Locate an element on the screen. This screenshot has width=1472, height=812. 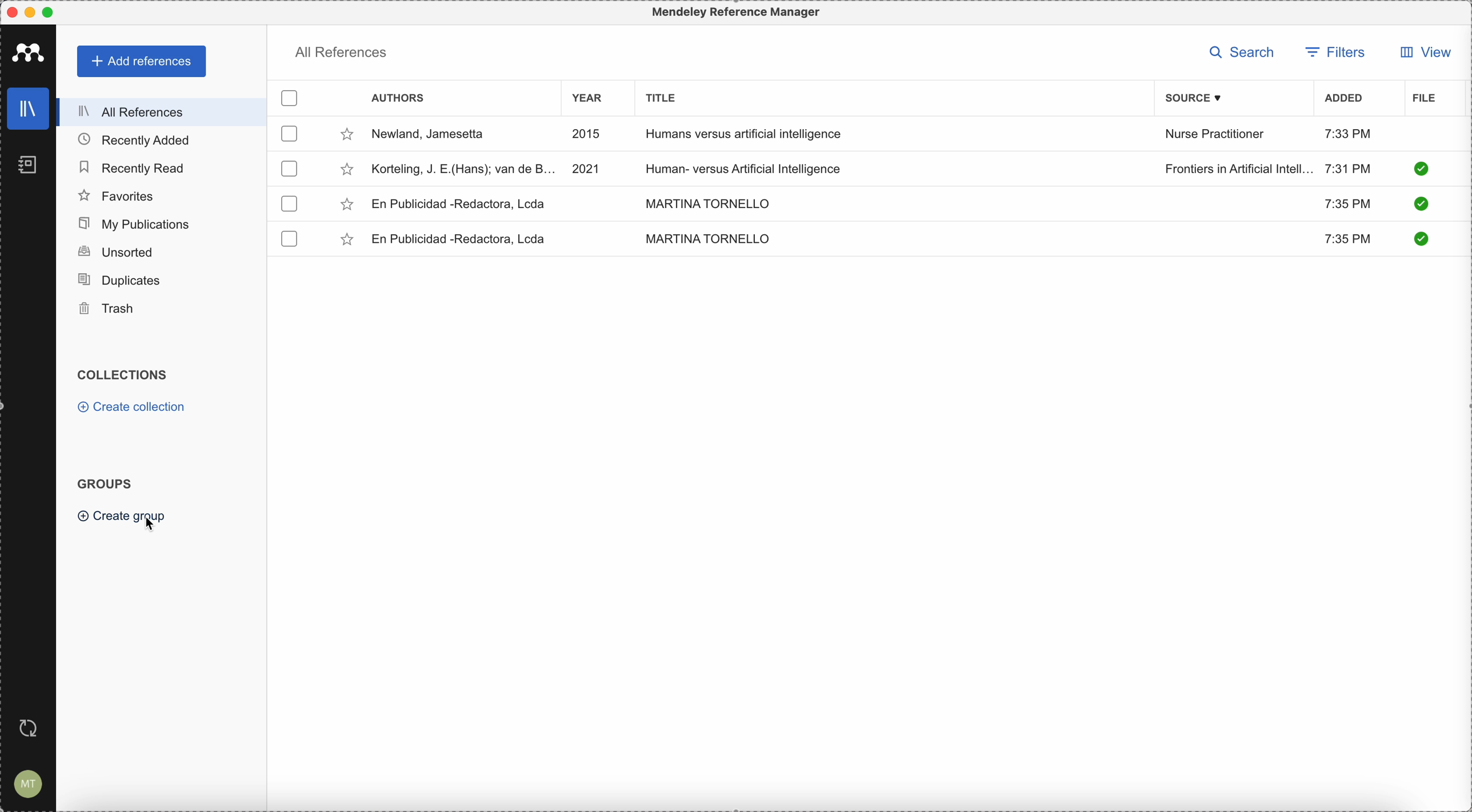
favorite is located at coordinates (347, 137).